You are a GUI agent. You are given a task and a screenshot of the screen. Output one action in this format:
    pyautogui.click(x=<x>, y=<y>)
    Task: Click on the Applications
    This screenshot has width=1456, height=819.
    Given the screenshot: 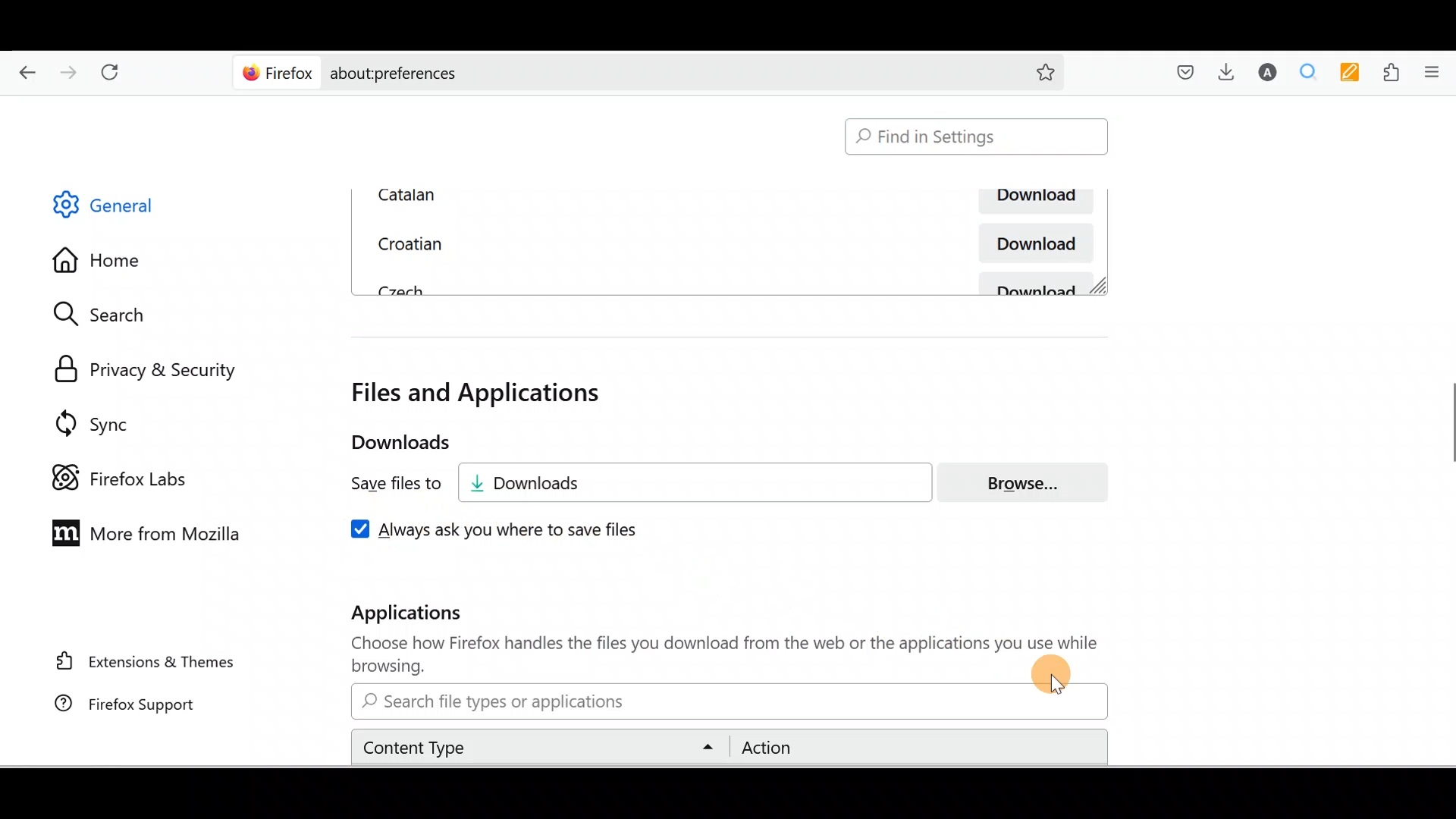 What is the action you would take?
    pyautogui.click(x=422, y=616)
    